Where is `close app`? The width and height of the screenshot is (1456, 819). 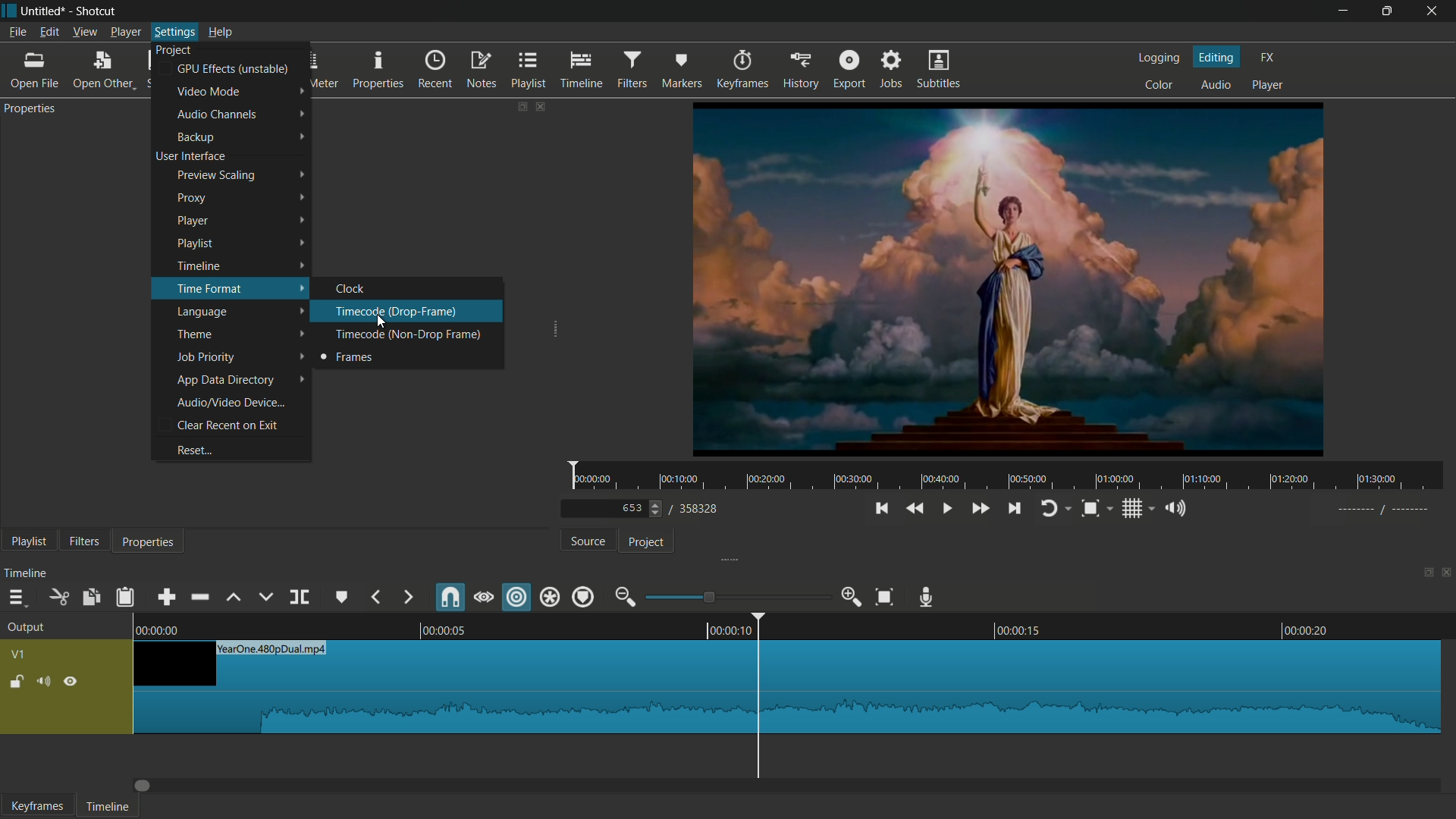 close app is located at coordinates (1435, 11).